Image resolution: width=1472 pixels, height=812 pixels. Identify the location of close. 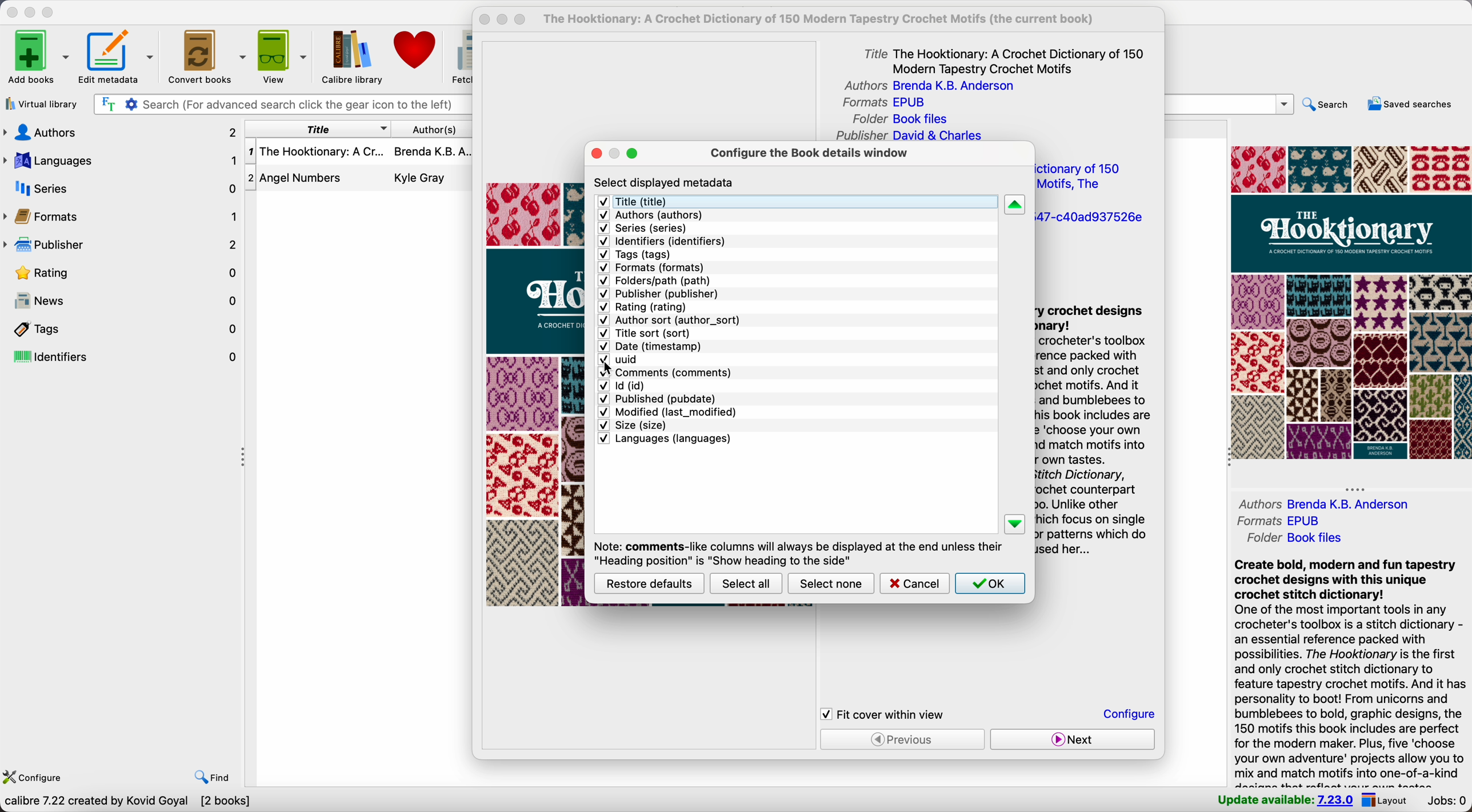
(12, 12).